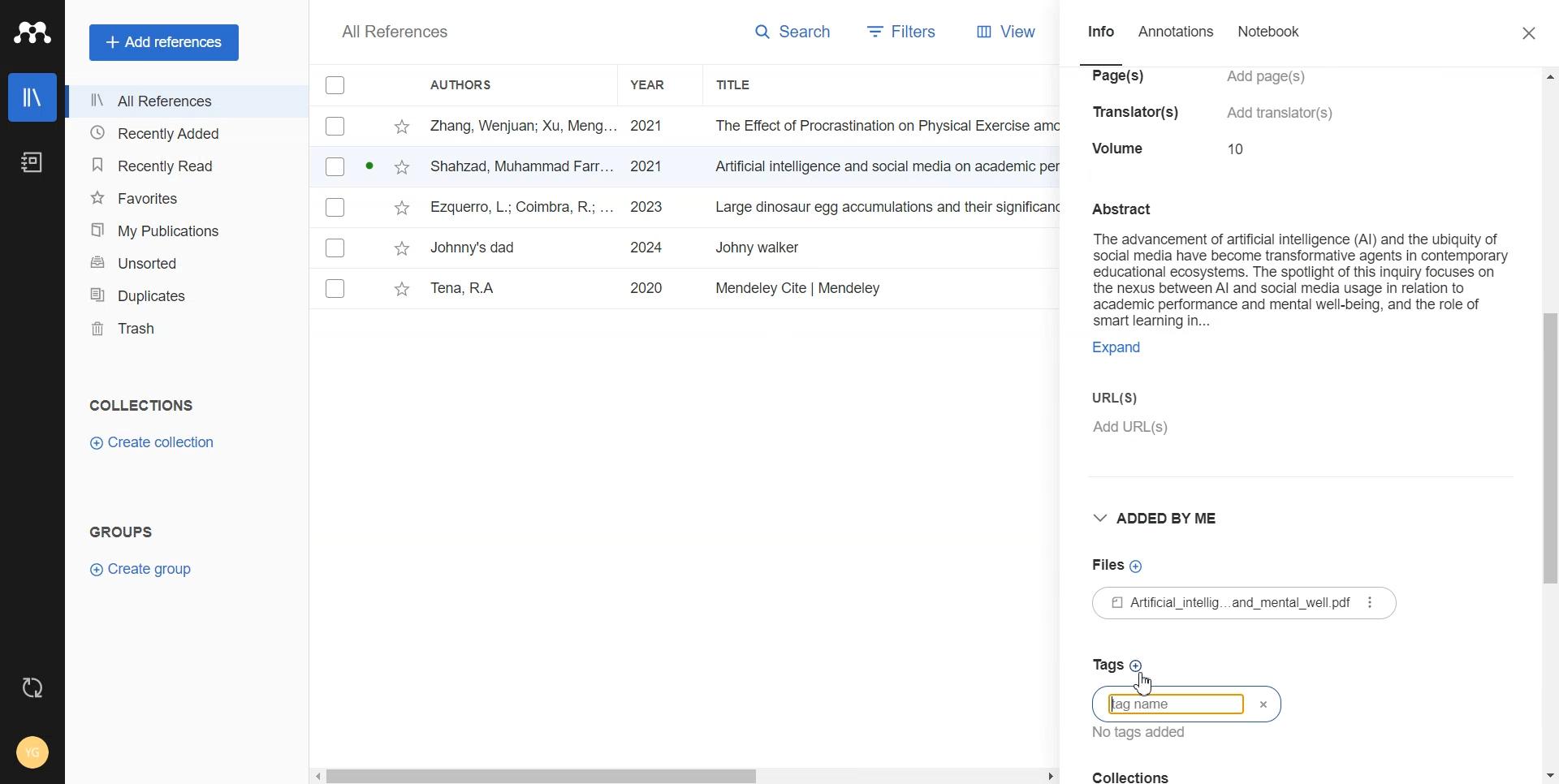  Describe the element at coordinates (687, 208) in the screenshot. I see `File` at that location.